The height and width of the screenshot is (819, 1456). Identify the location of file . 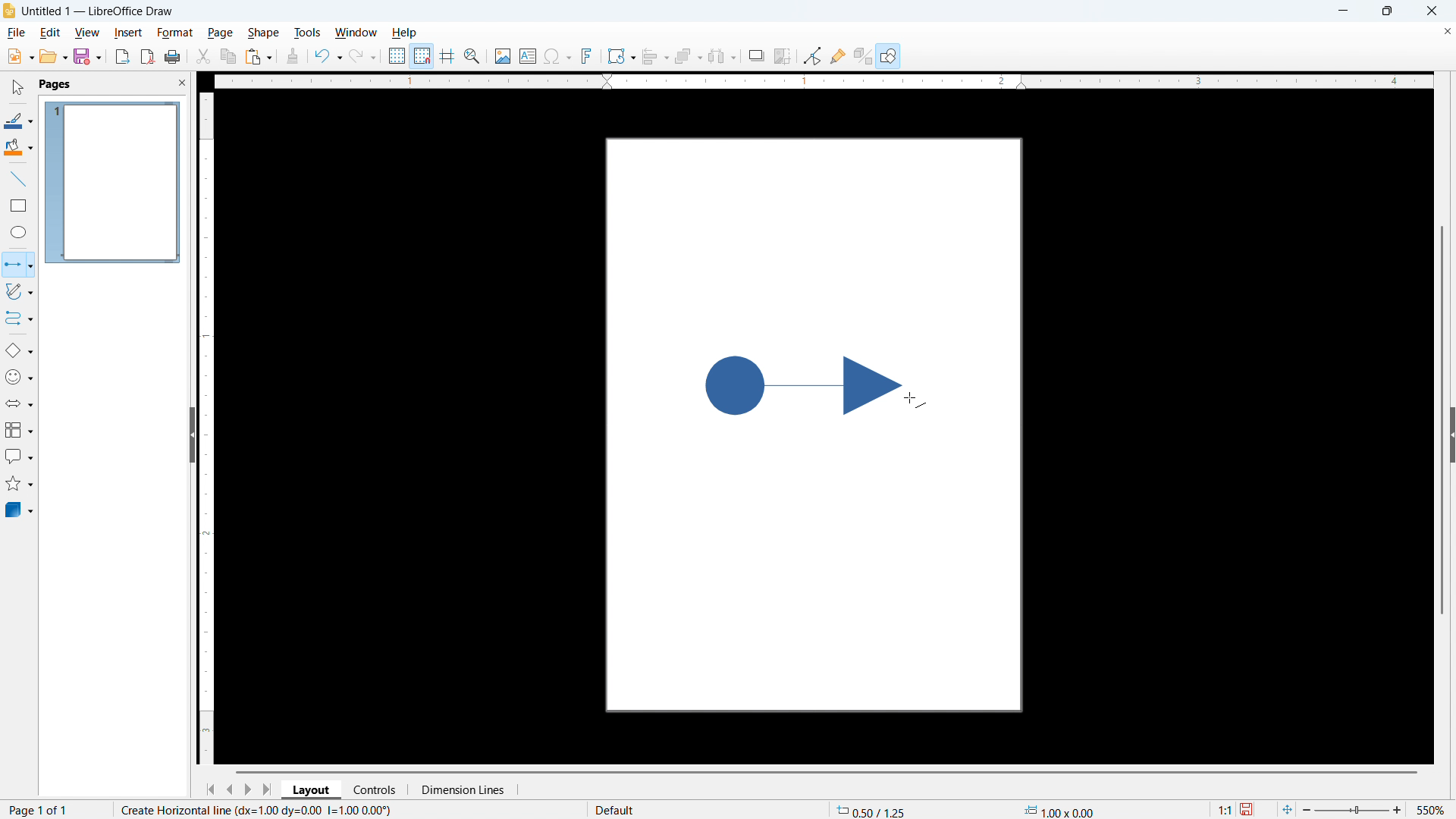
(16, 33).